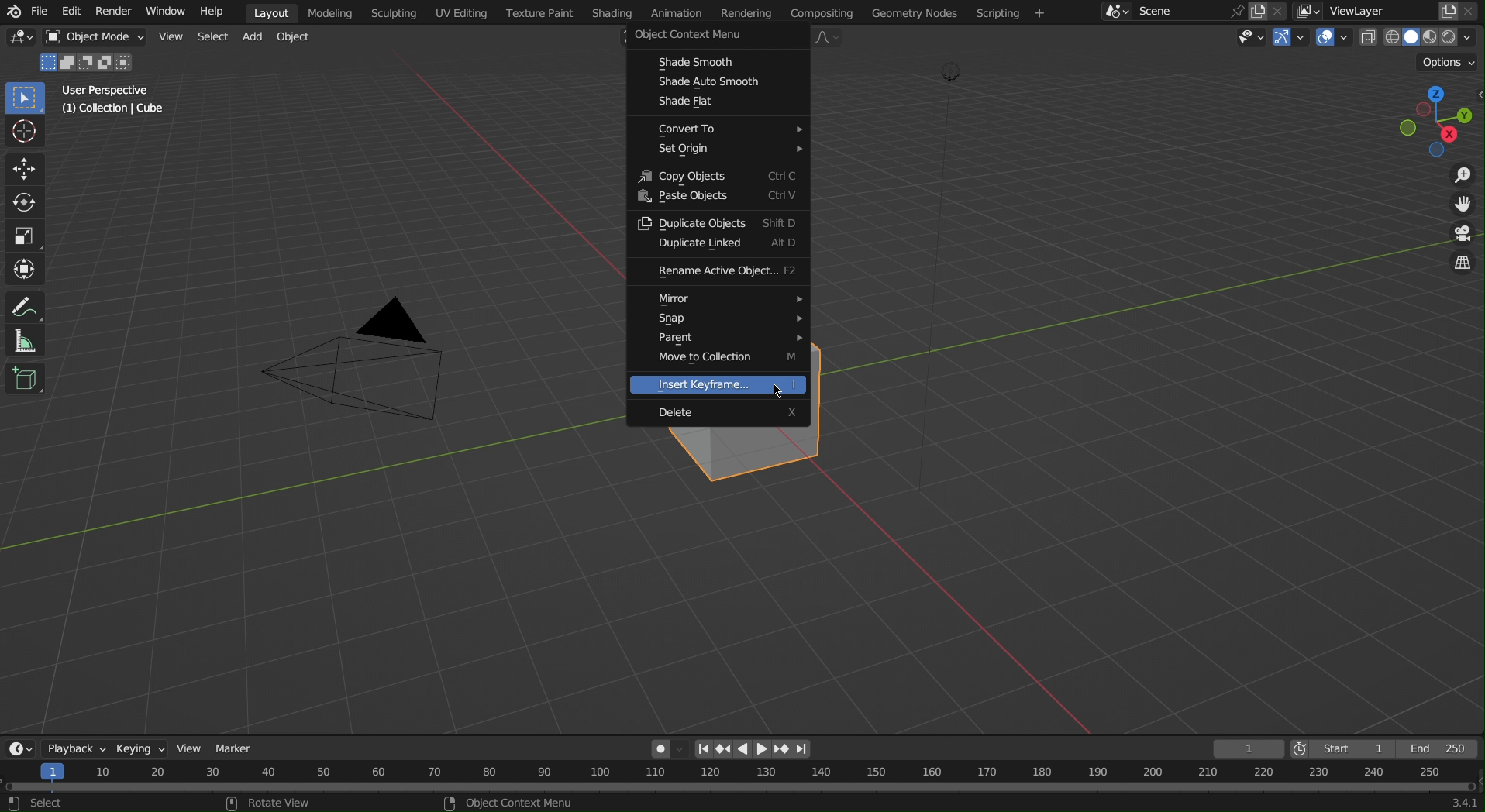  What do you see at coordinates (717, 81) in the screenshot?
I see `Shade Auto Smooth` at bounding box center [717, 81].